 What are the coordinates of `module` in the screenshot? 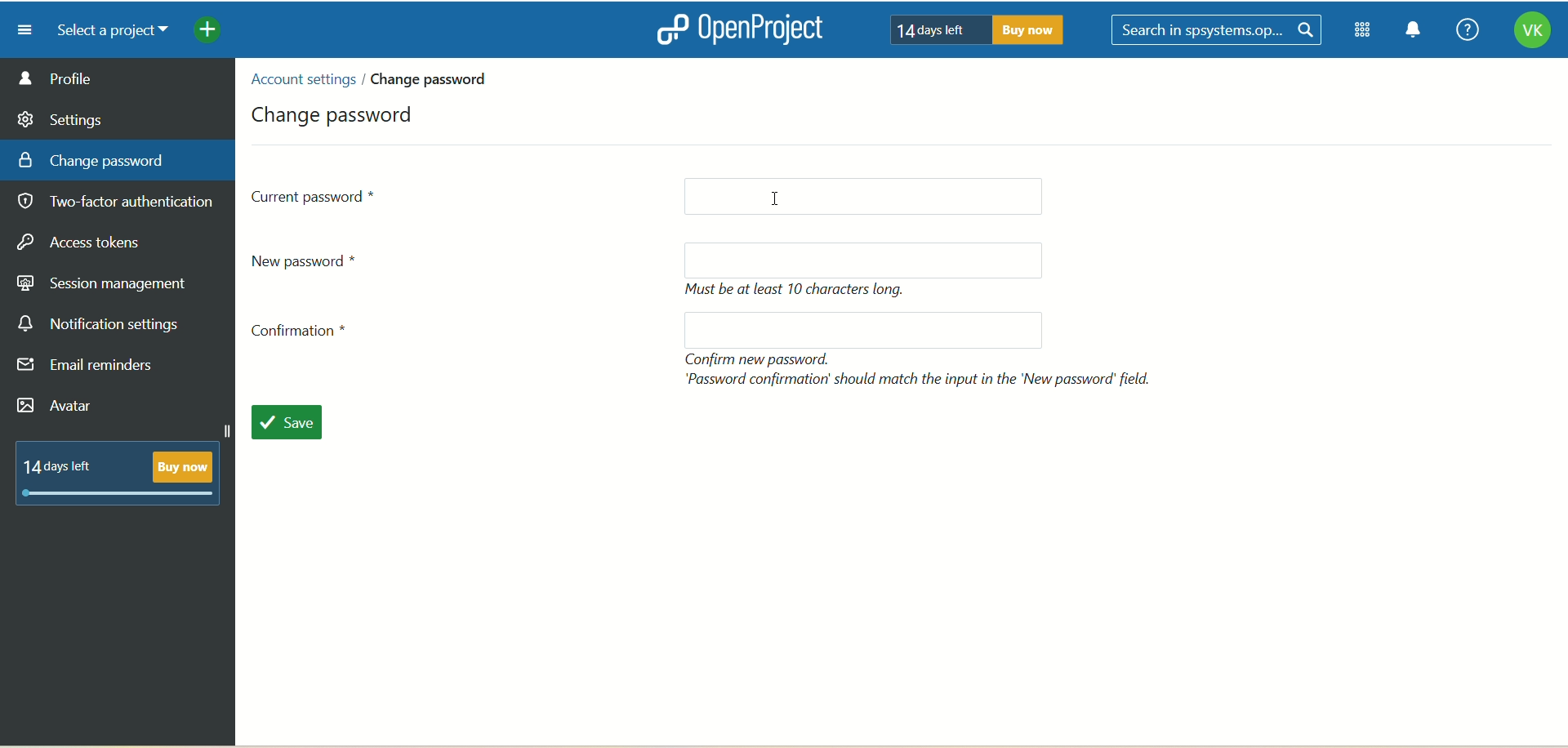 It's located at (1365, 30).